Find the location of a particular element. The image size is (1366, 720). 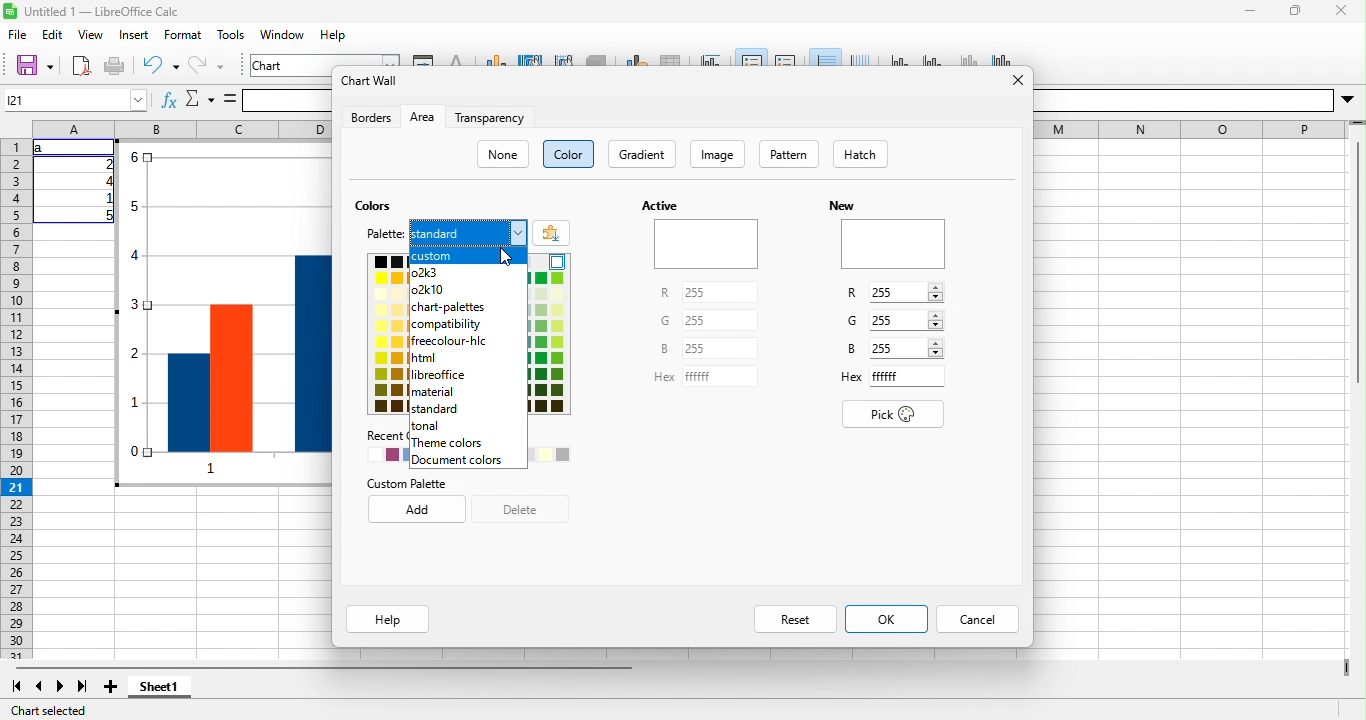

Hex is located at coordinates (852, 377).